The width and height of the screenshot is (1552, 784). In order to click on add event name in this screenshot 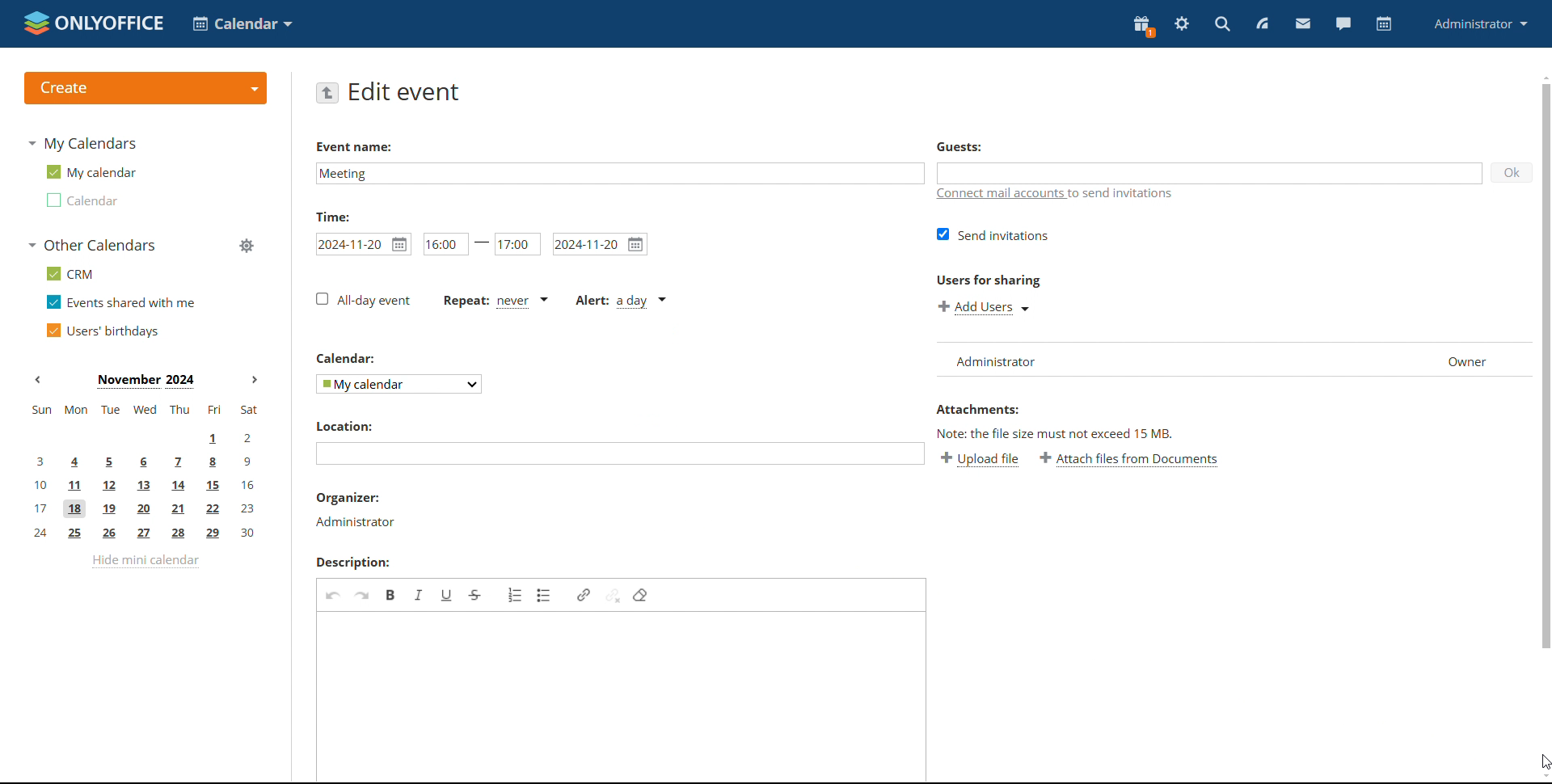, I will do `click(619, 174)`.